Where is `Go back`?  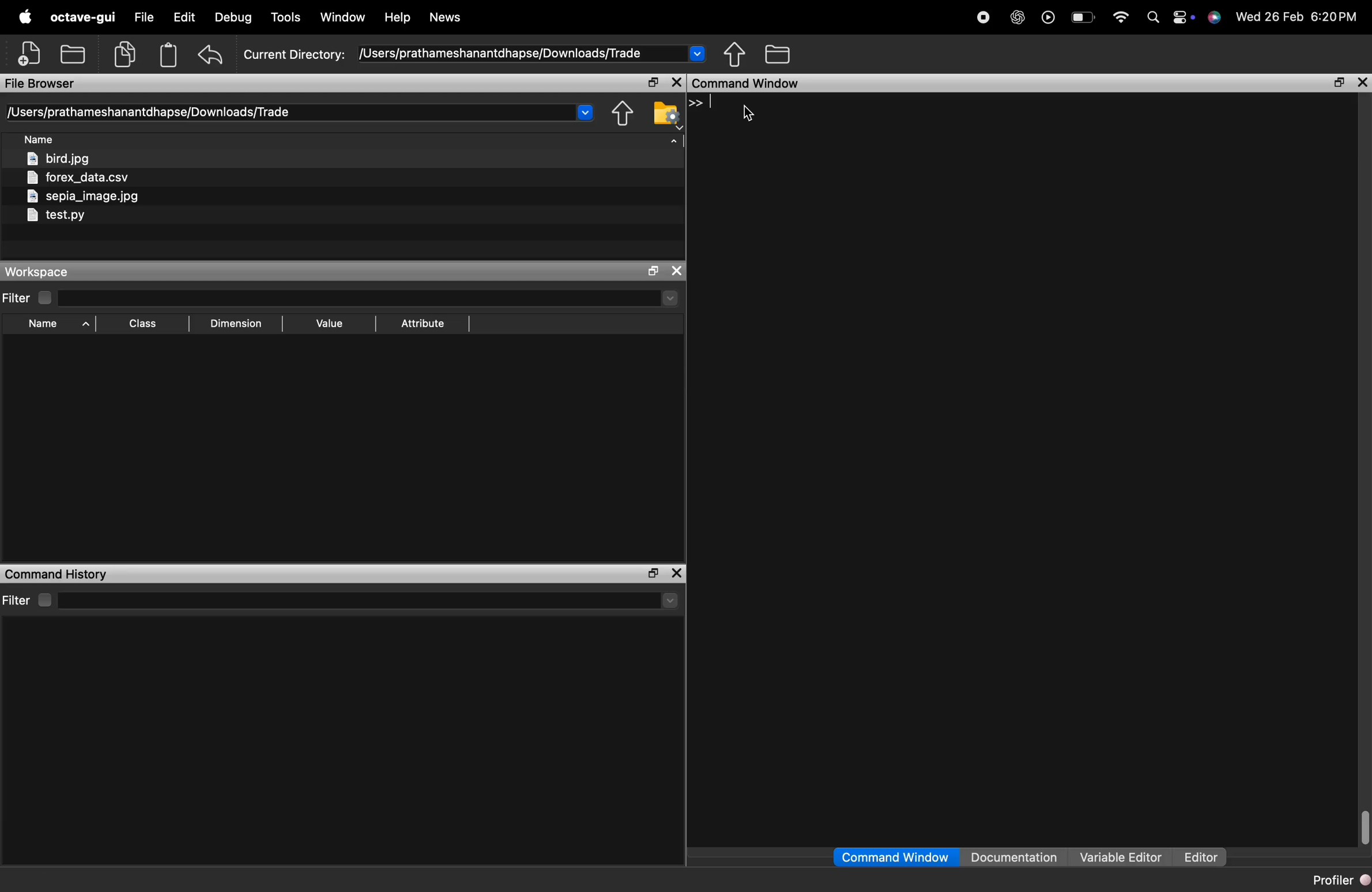 Go back is located at coordinates (735, 54).